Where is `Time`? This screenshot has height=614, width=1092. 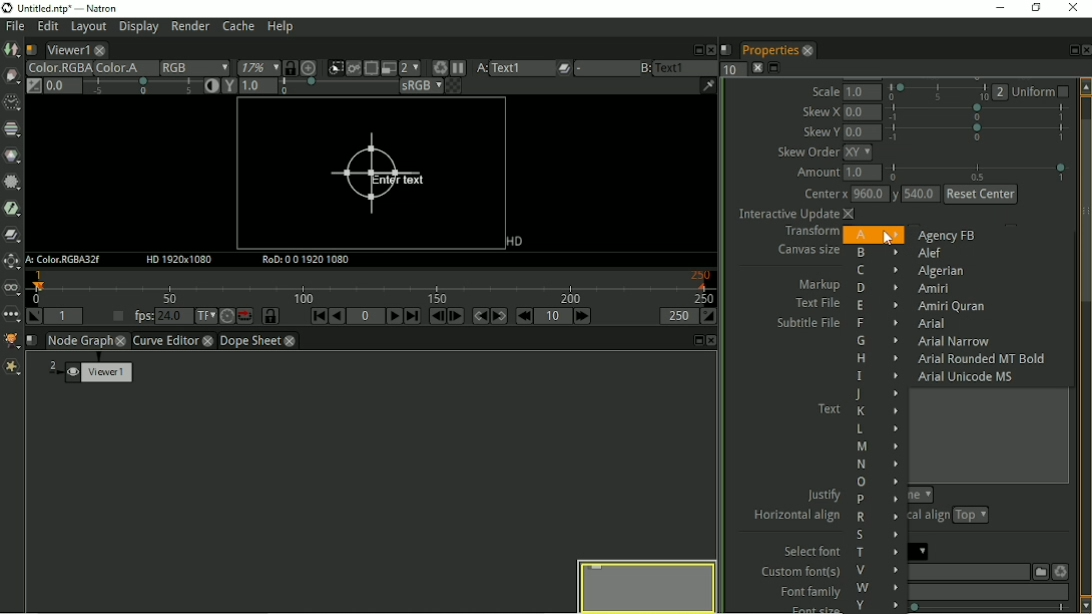
Time is located at coordinates (11, 103).